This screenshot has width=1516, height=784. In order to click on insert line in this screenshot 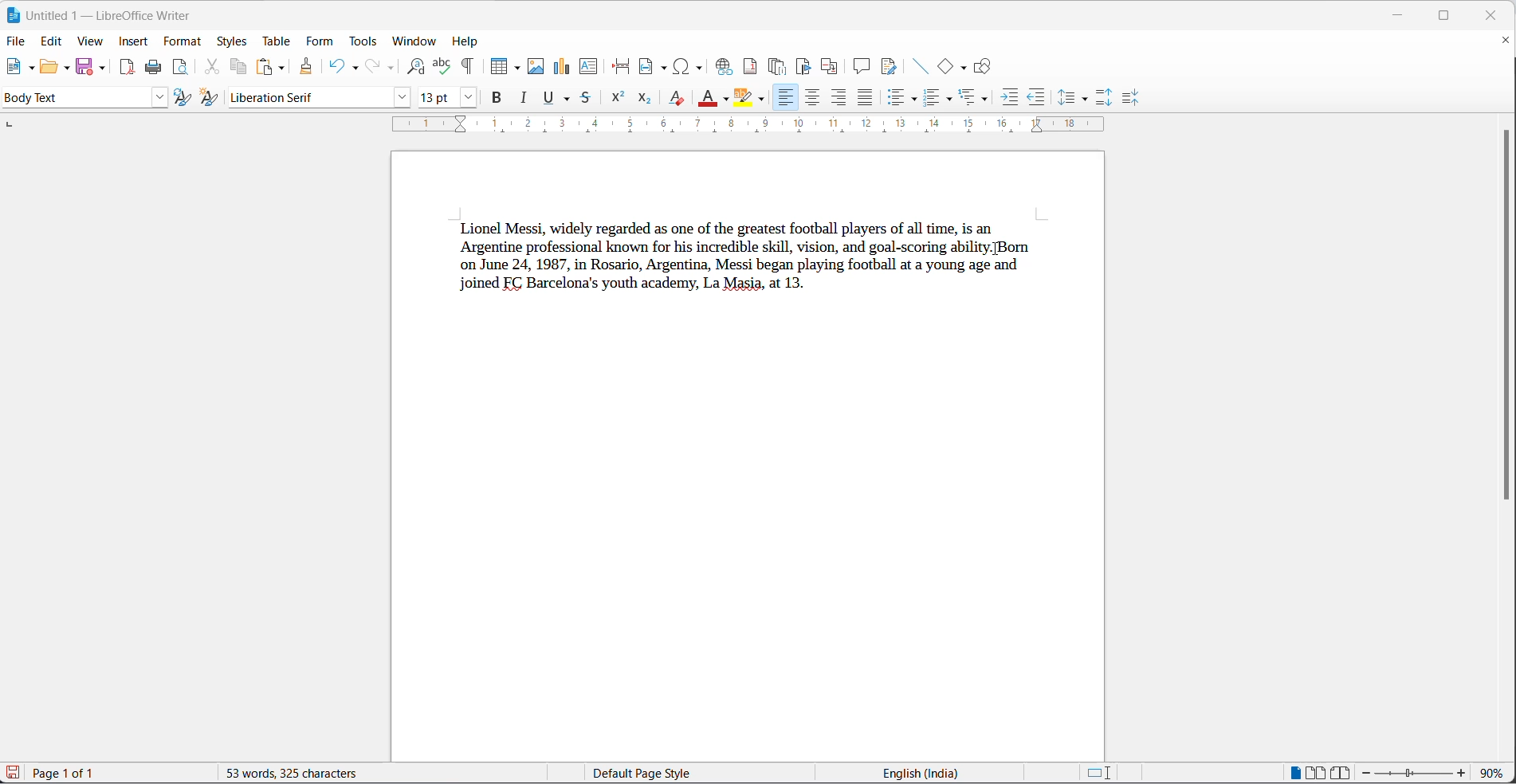, I will do `click(921, 67)`.